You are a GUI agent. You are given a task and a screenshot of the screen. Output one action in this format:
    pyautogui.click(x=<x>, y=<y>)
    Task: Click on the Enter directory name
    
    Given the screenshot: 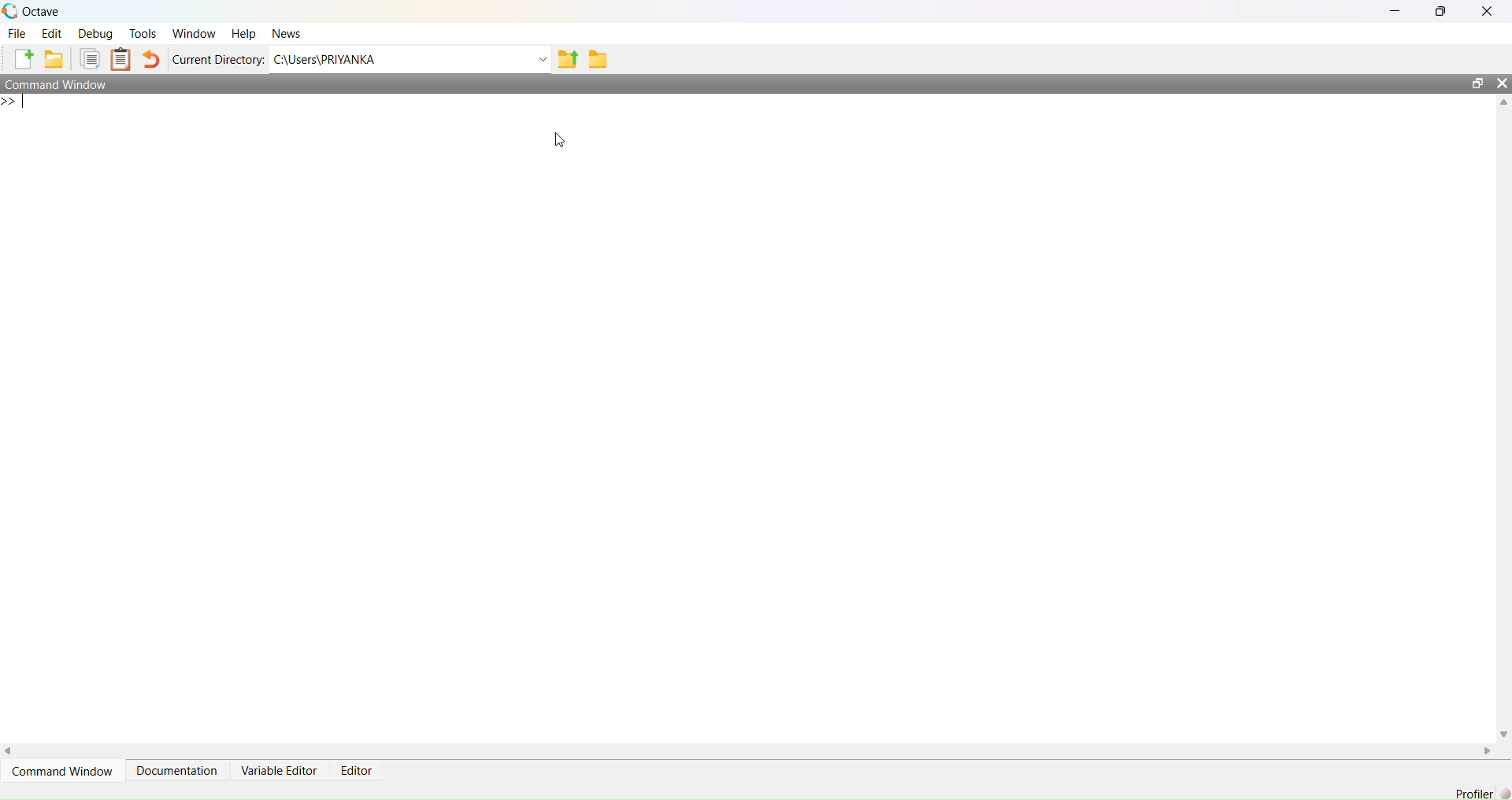 What is the action you would take?
    pyautogui.click(x=543, y=58)
    